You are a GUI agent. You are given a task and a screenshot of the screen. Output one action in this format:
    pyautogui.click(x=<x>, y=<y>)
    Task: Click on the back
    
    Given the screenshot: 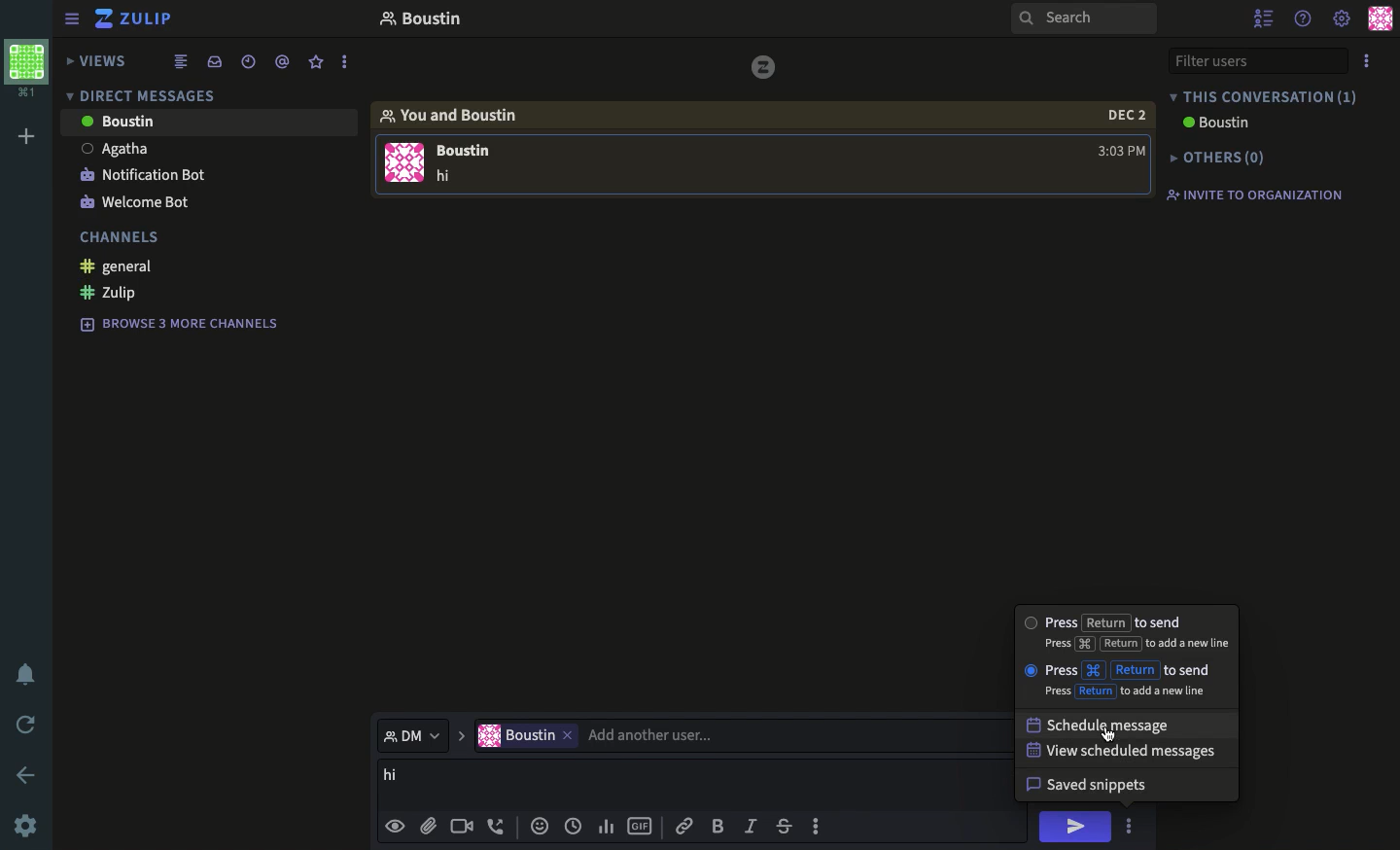 What is the action you would take?
    pyautogui.click(x=29, y=775)
    